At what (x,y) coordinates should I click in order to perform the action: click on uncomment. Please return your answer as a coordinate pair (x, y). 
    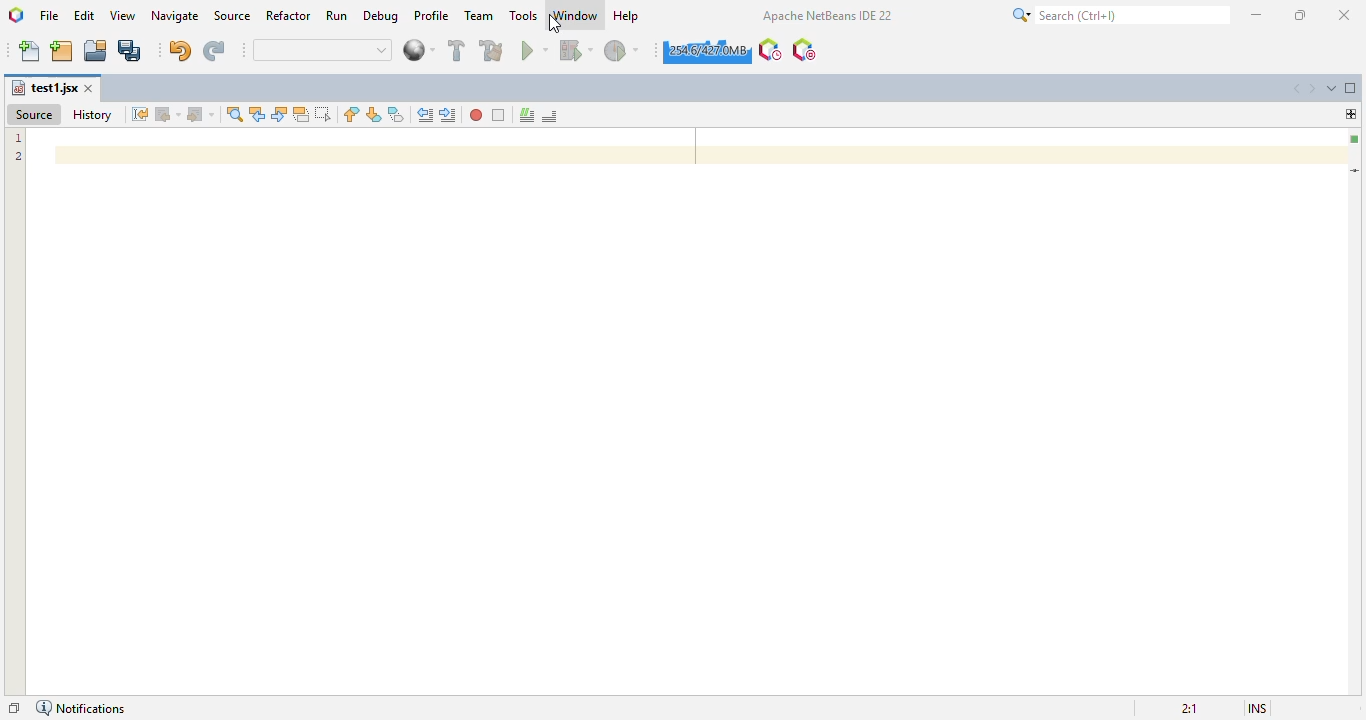
    Looking at the image, I should click on (551, 116).